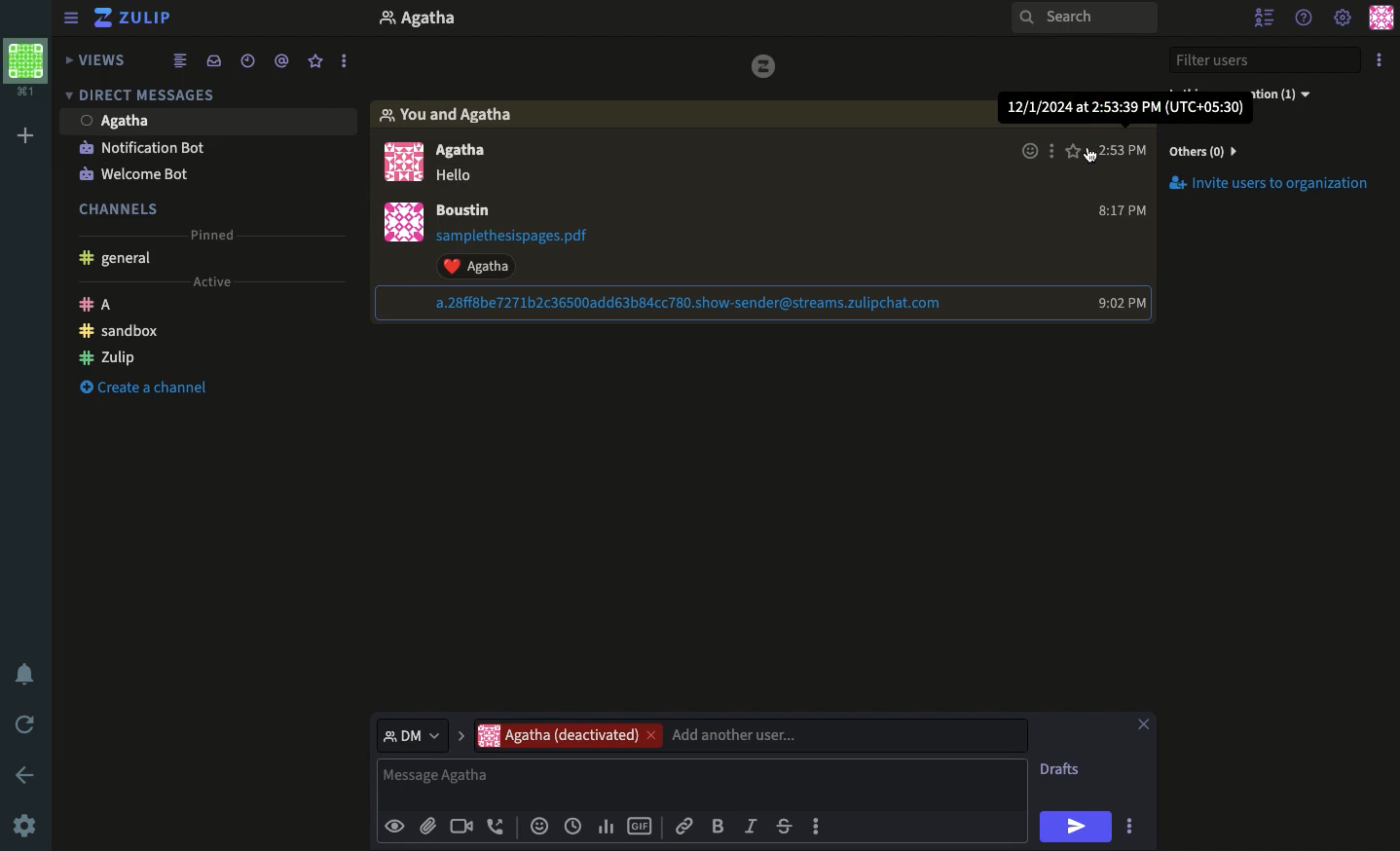  Describe the element at coordinates (784, 826) in the screenshot. I see `Strikethrough ` at that location.